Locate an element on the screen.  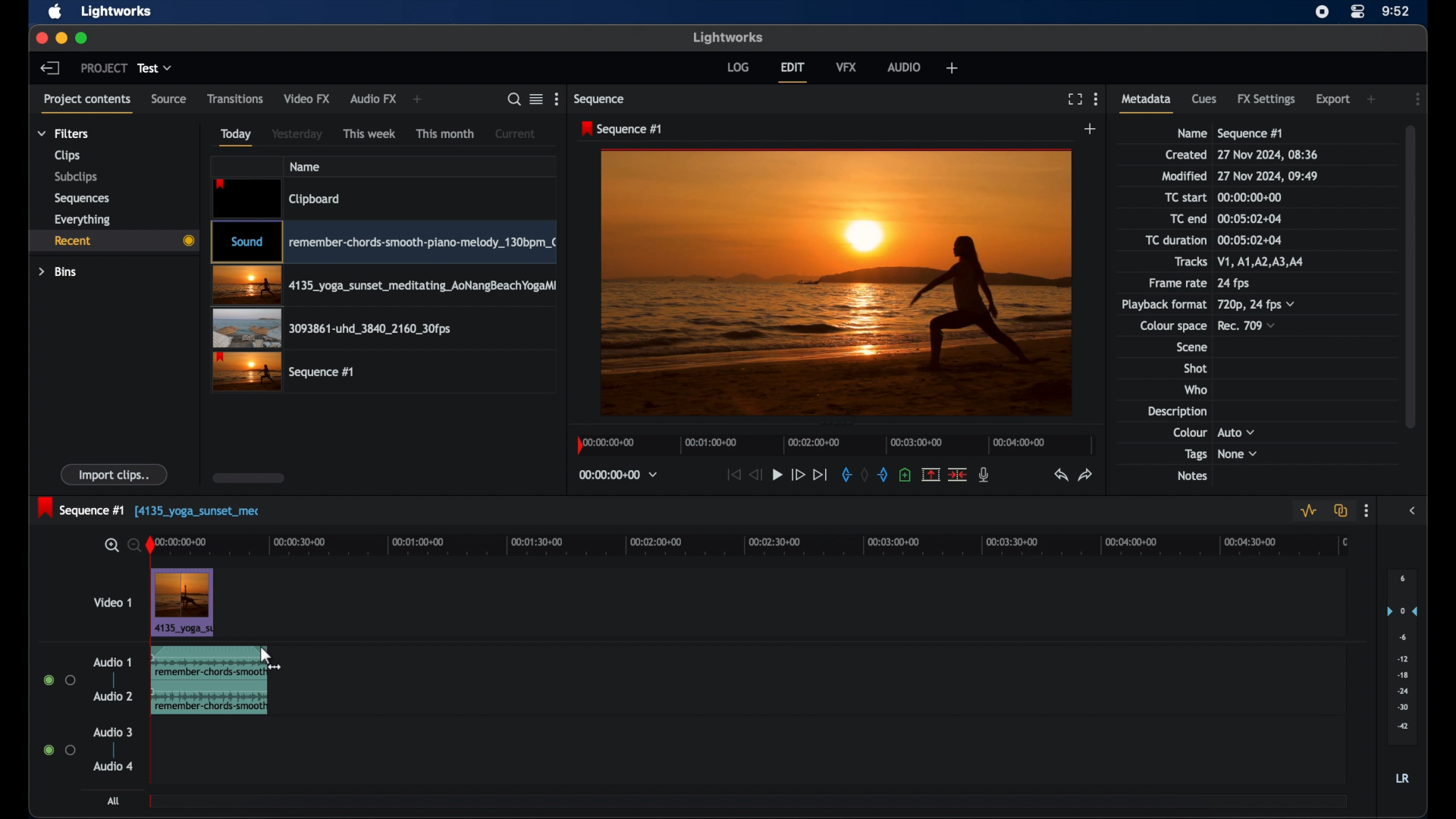
720p, 24fps is located at coordinates (1257, 304).